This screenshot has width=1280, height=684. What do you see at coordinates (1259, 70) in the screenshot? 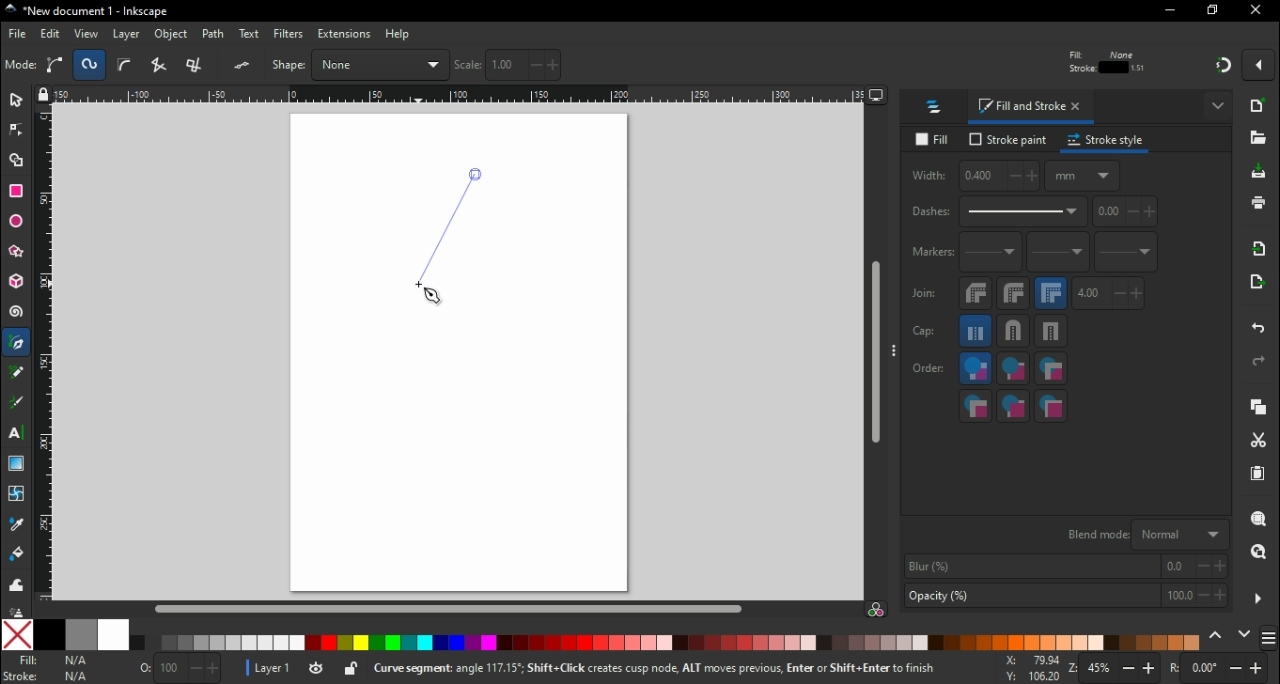
I see `snapping options` at bounding box center [1259, 70].